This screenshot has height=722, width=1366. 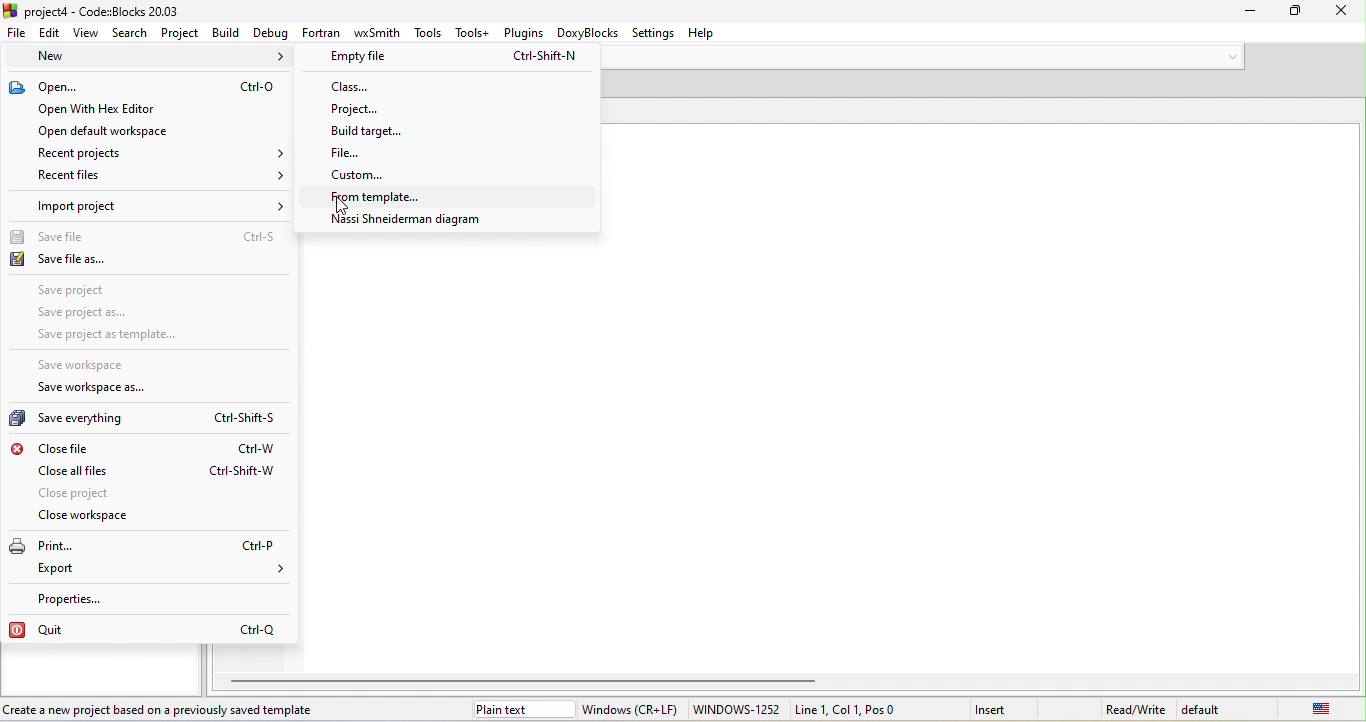 What do you see at coordinates (105, 386) in the screenshot?
I see `save workspace as` at bounding box center [105, 386].